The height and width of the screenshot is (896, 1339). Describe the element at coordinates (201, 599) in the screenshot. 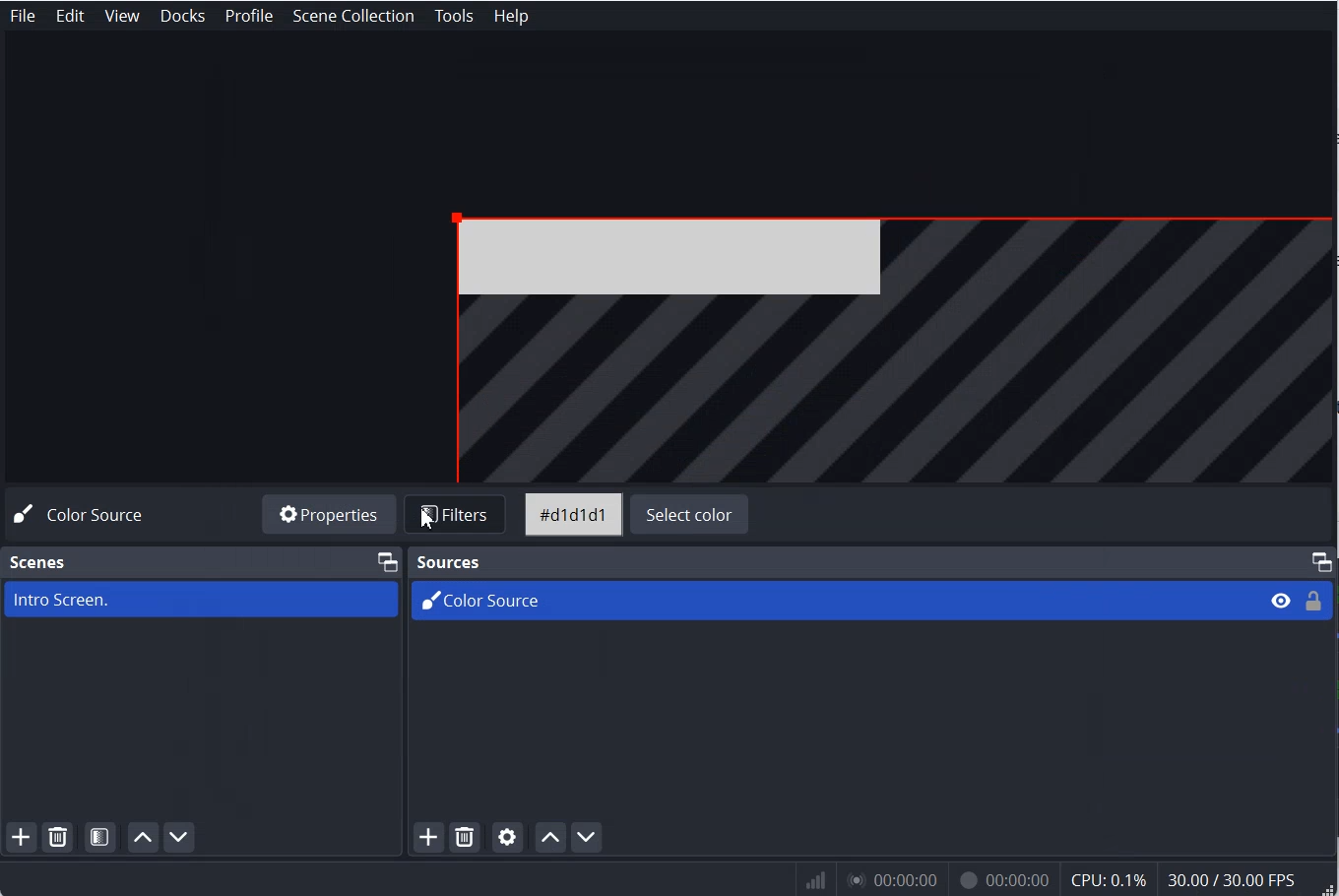

I see `Intro Screen ` at that location.